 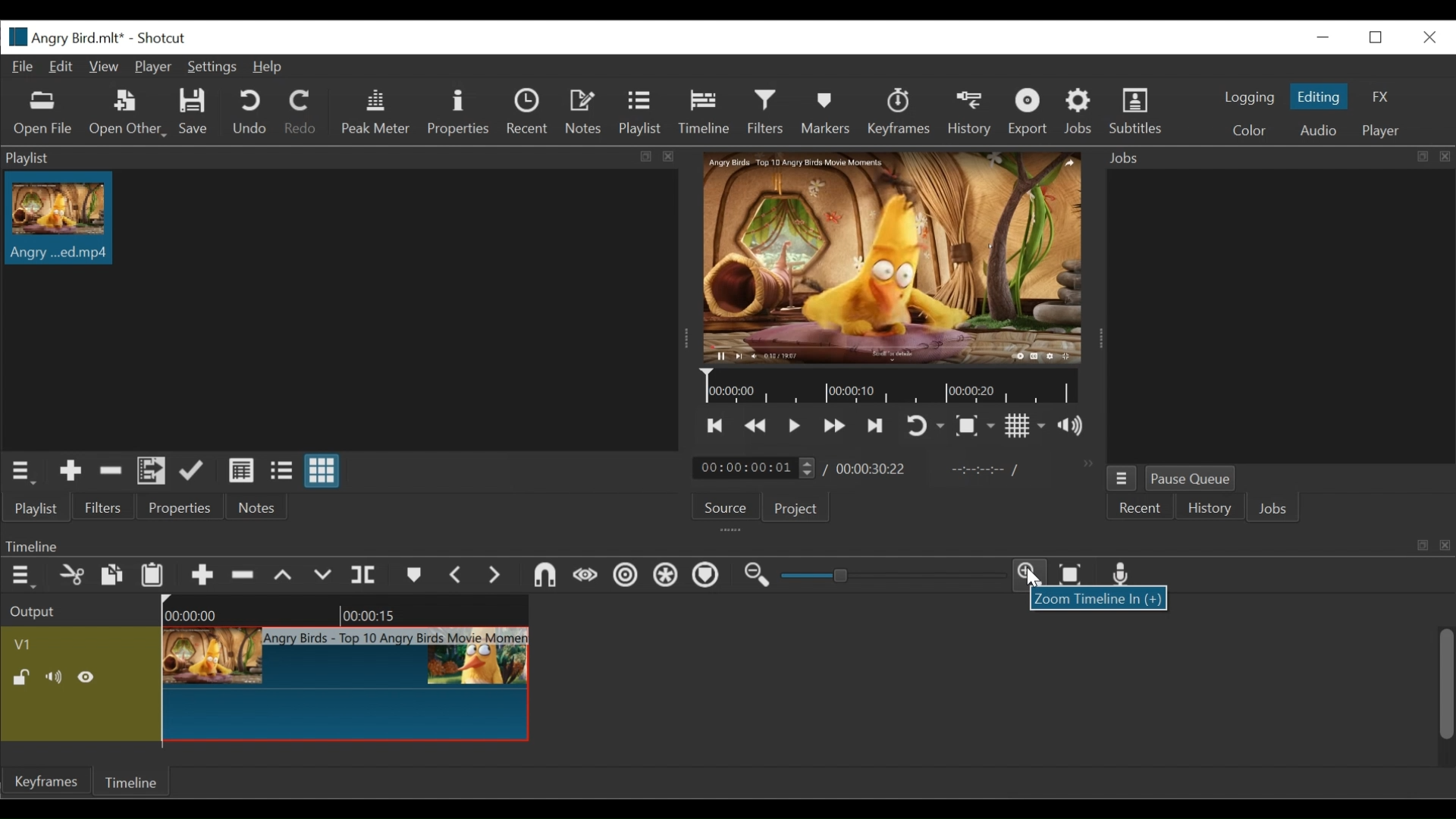 I want to click on Timeline, so click(x=706, y=113).